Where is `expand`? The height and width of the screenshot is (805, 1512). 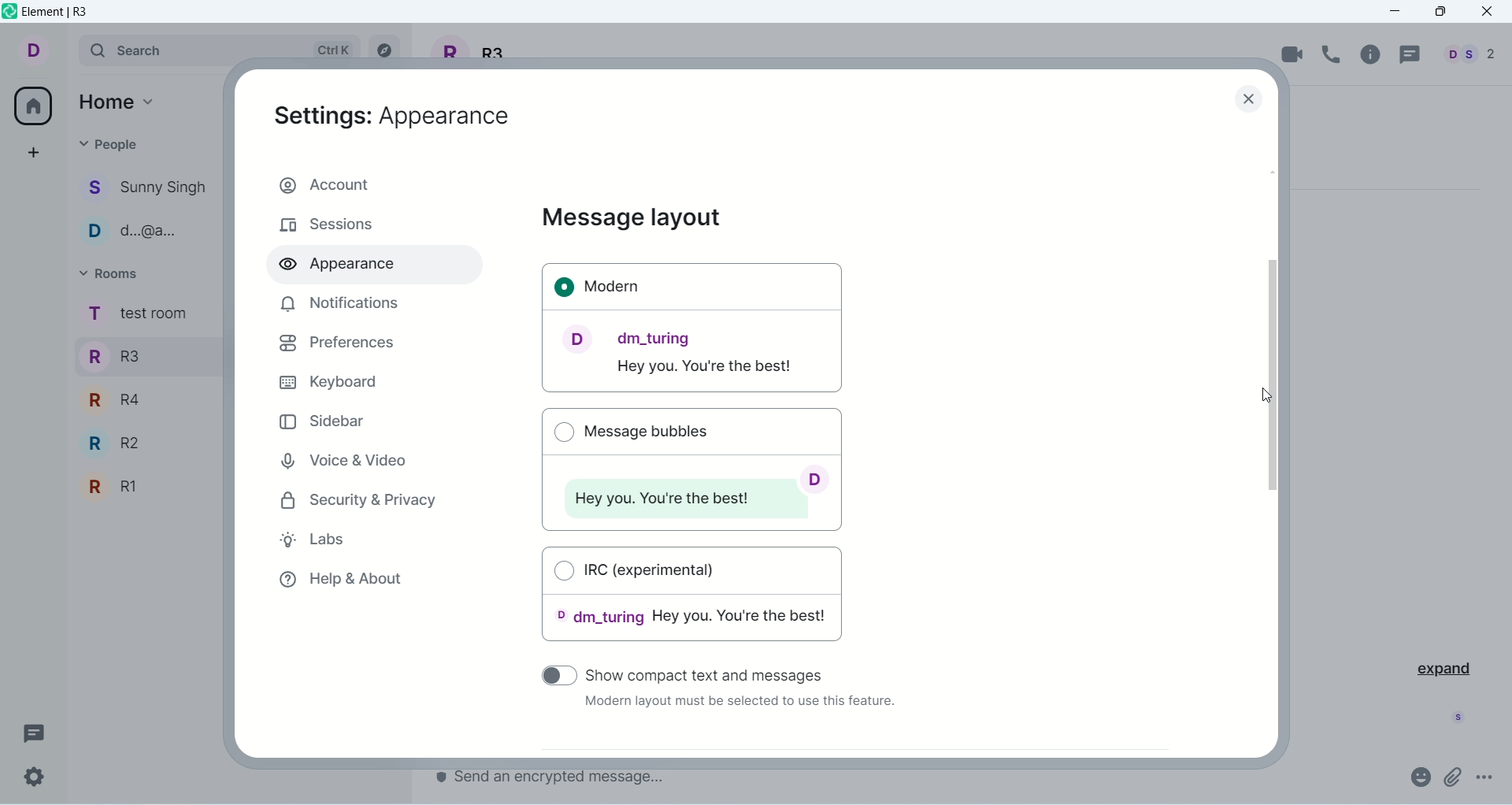 expand is located at coordinates (1442, 667).